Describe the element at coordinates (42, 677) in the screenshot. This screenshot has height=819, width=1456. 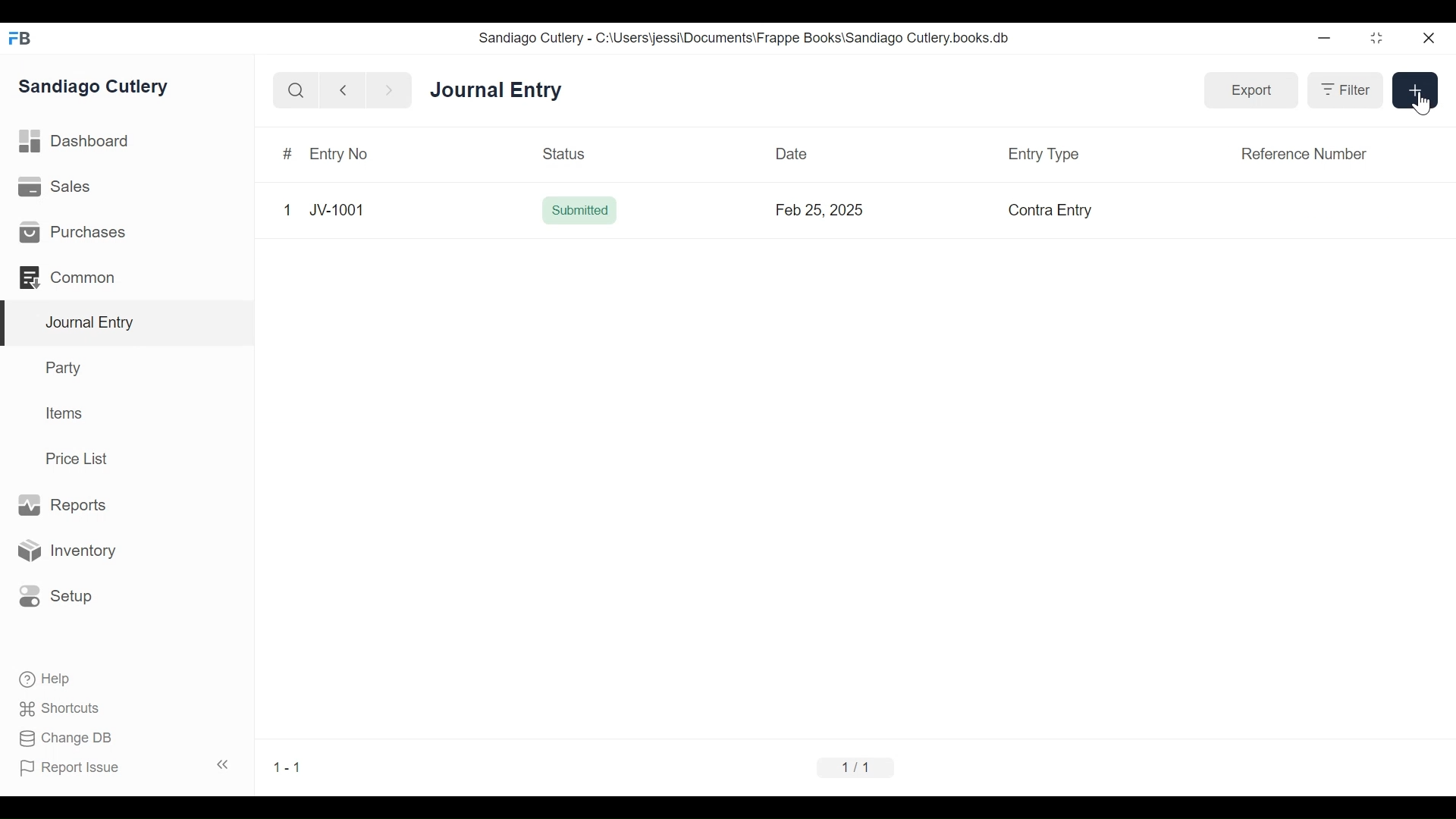
I see `Help` at that location.